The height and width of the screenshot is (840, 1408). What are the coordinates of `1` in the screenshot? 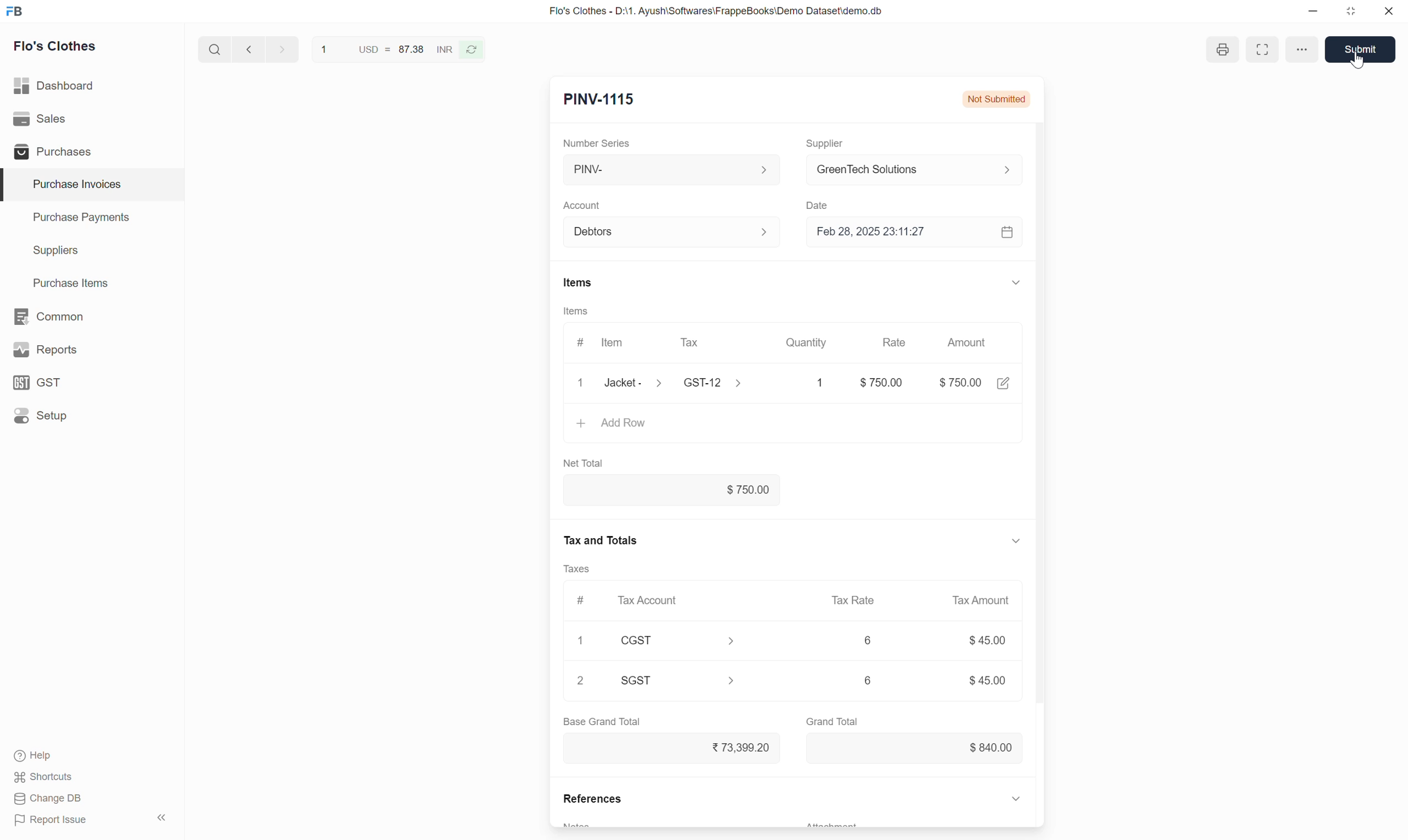 It's located at (810, 383).